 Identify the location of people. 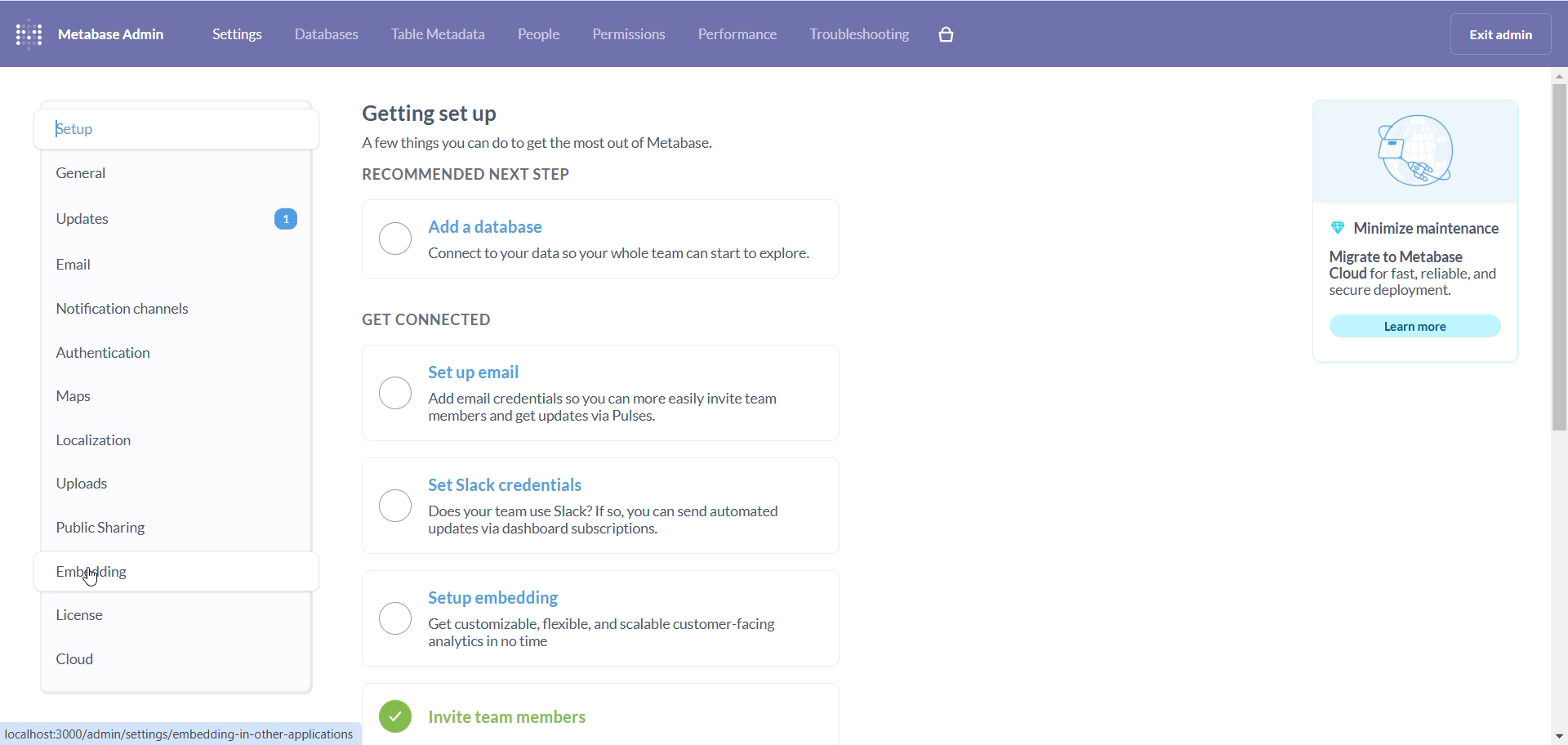
(536, 37).